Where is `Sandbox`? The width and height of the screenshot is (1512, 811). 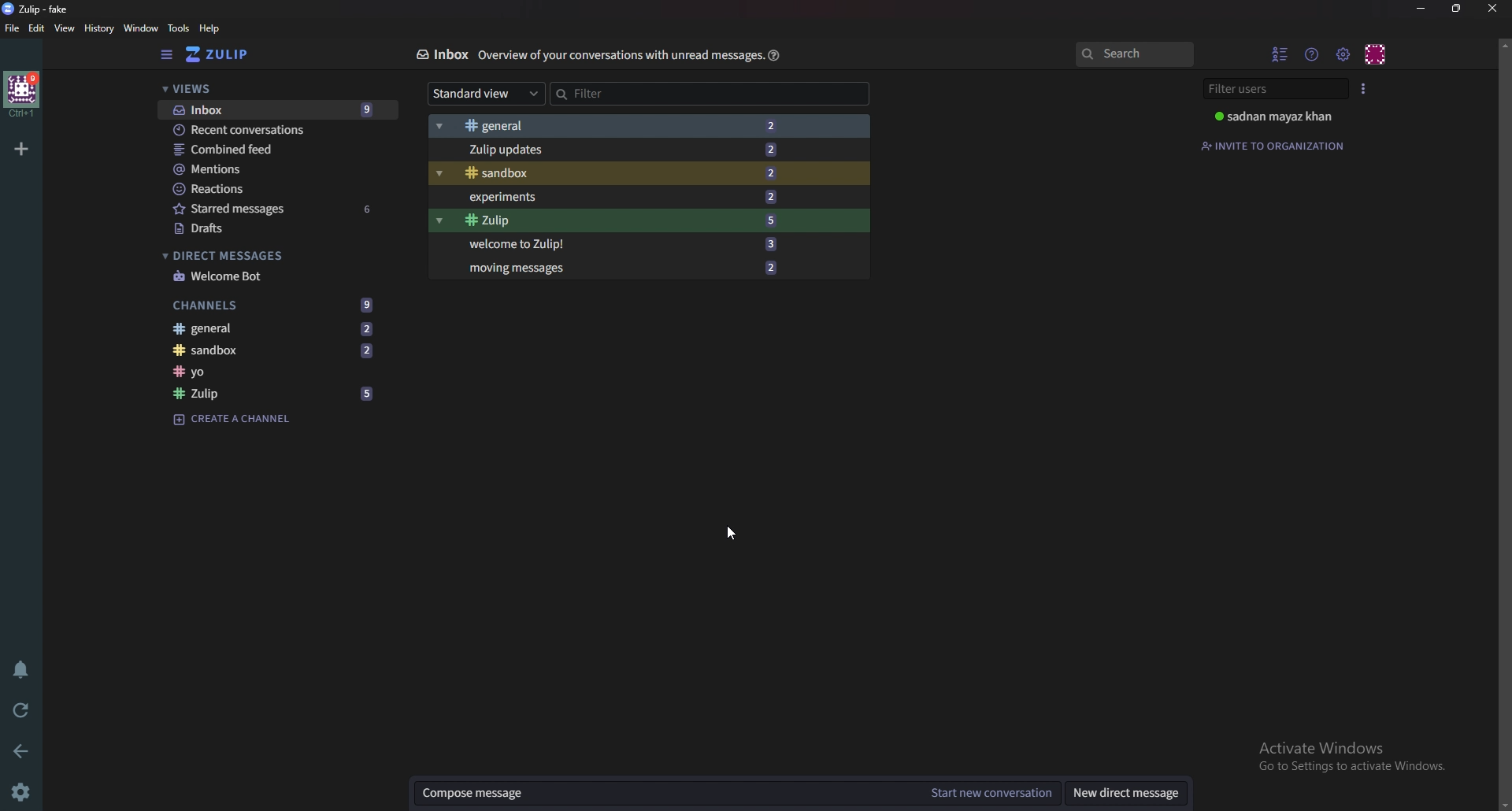
Sandbox is located at coordinates (281, 351).